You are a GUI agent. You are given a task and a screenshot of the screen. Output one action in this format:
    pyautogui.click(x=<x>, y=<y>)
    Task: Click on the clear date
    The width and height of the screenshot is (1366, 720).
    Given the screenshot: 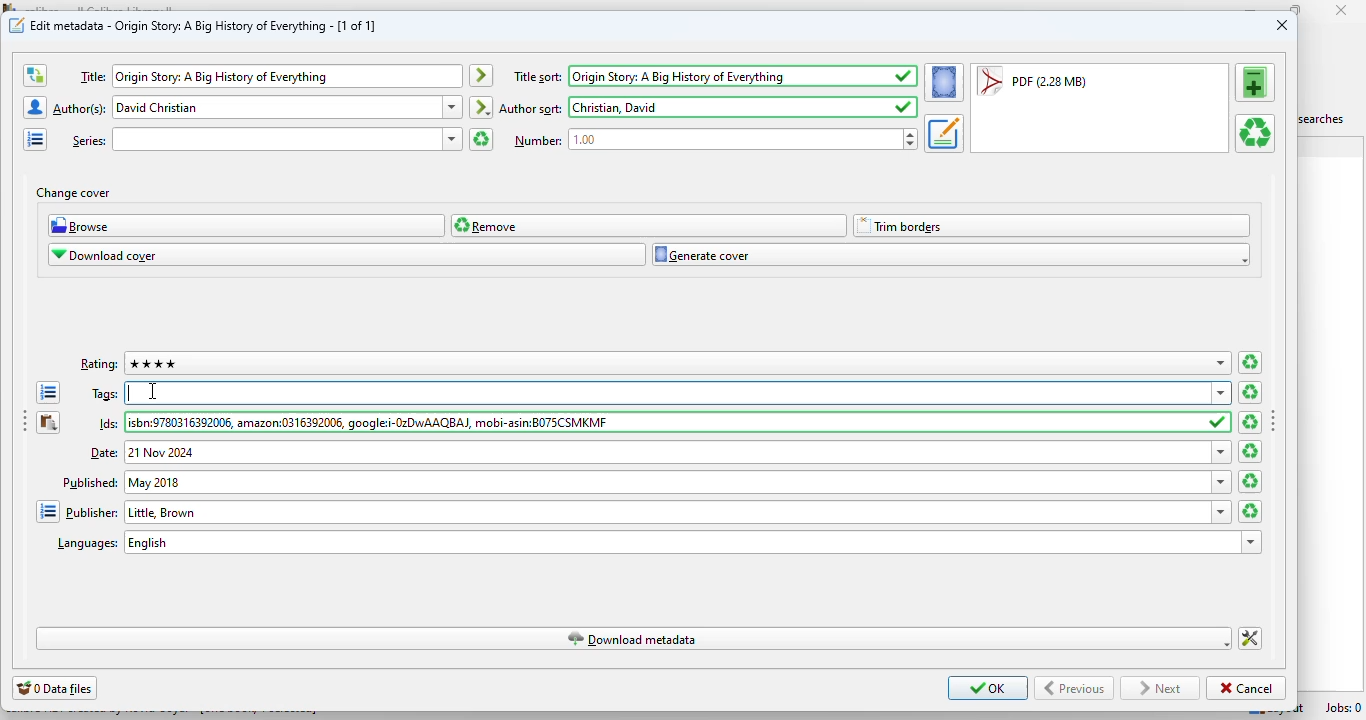 What is the action you would take?
    pyautogui.click(x=1250, y=451)
    